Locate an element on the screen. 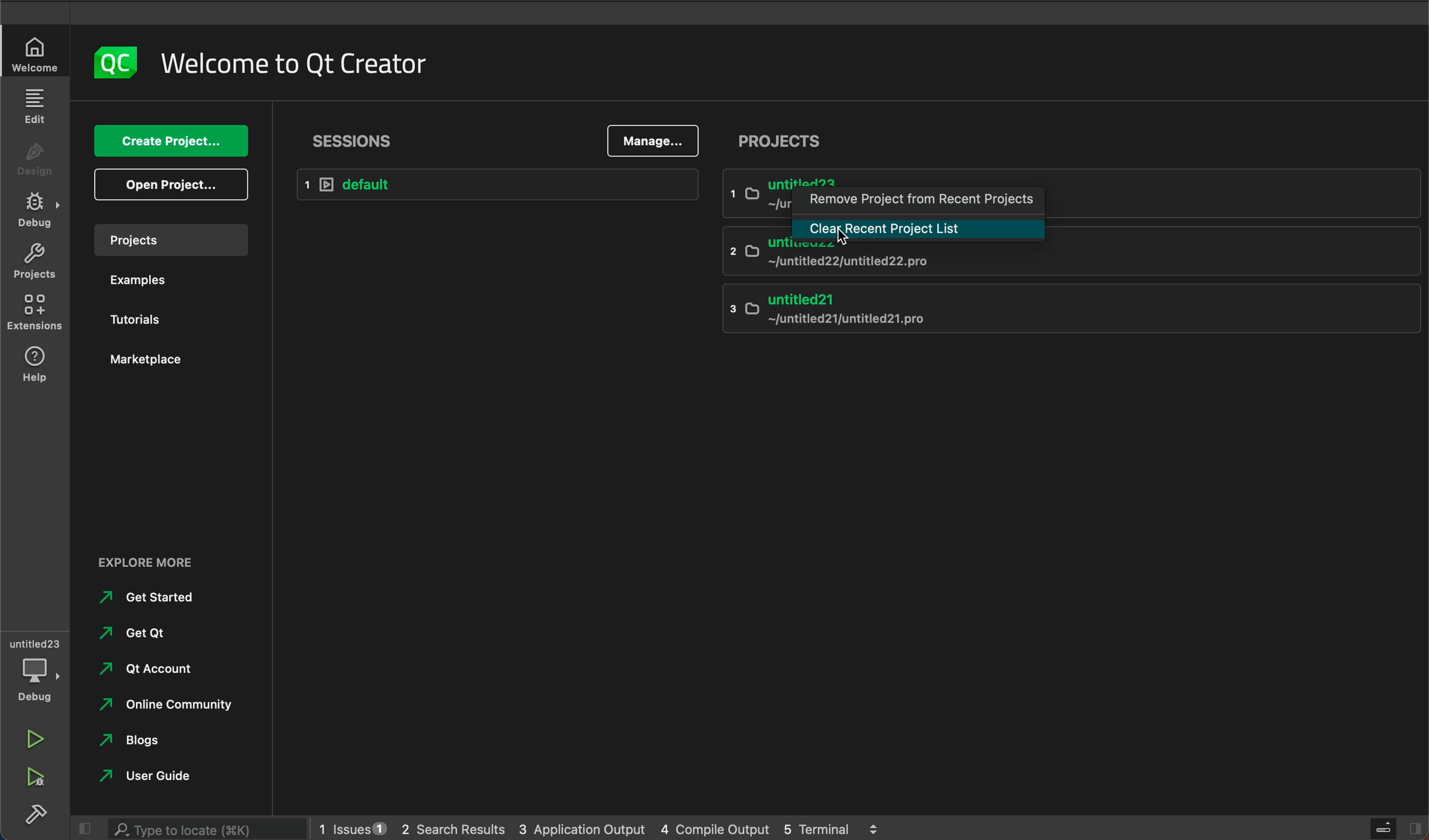  marketplace is located at coordinates (145, 360).